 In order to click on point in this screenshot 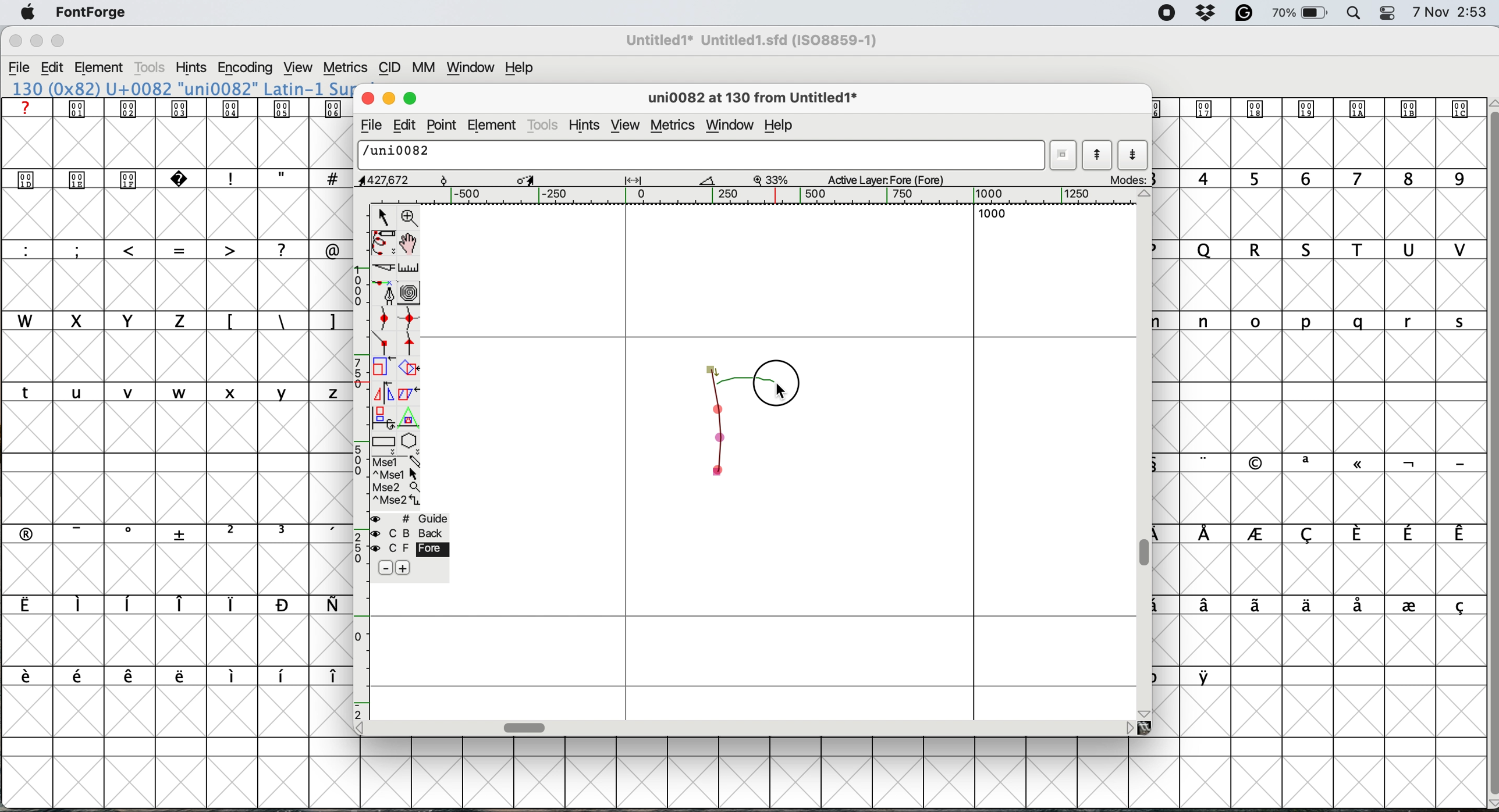, I will do `click(445, 125)`.